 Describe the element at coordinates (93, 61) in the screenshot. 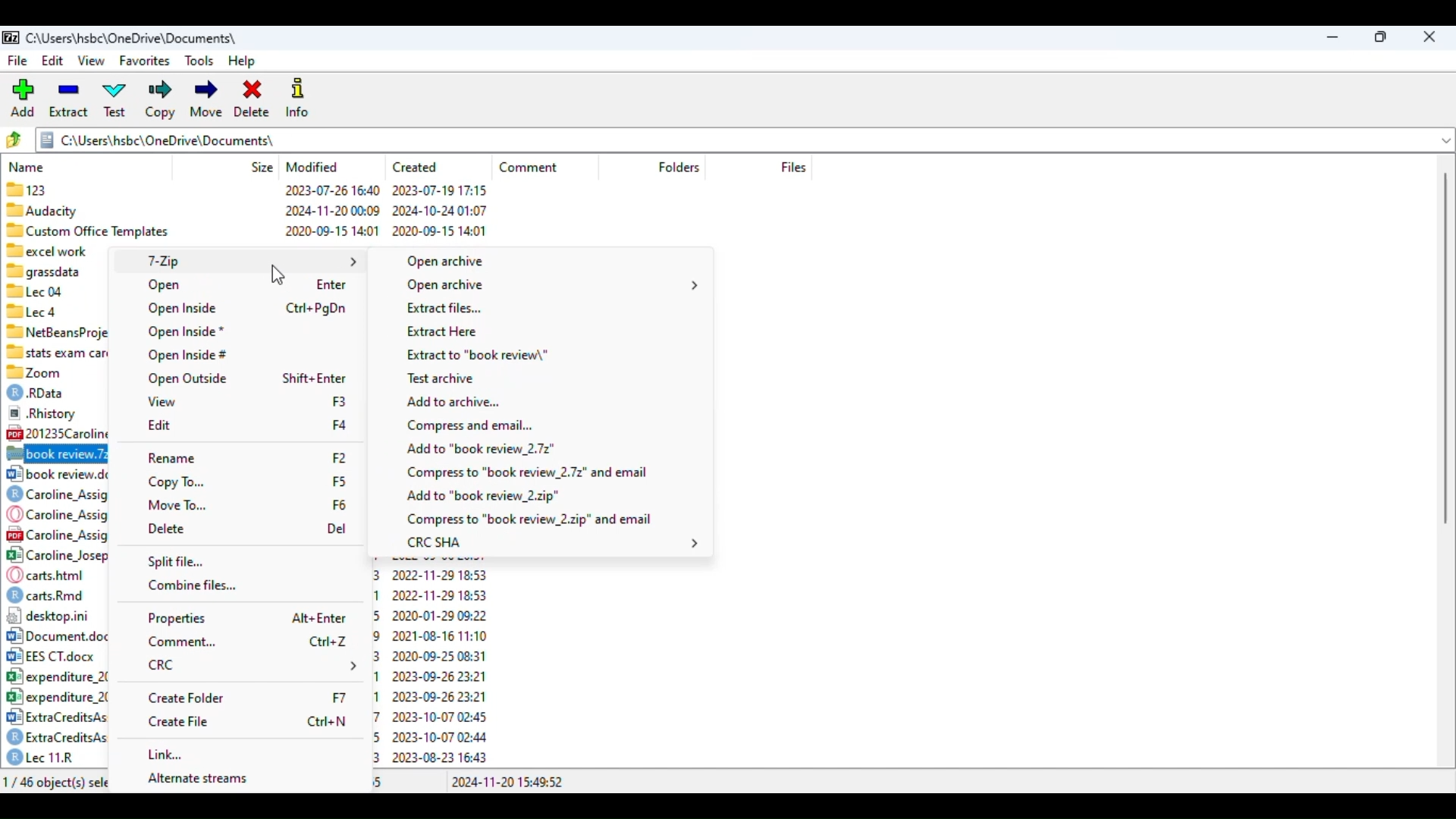

I see `view` at that location.